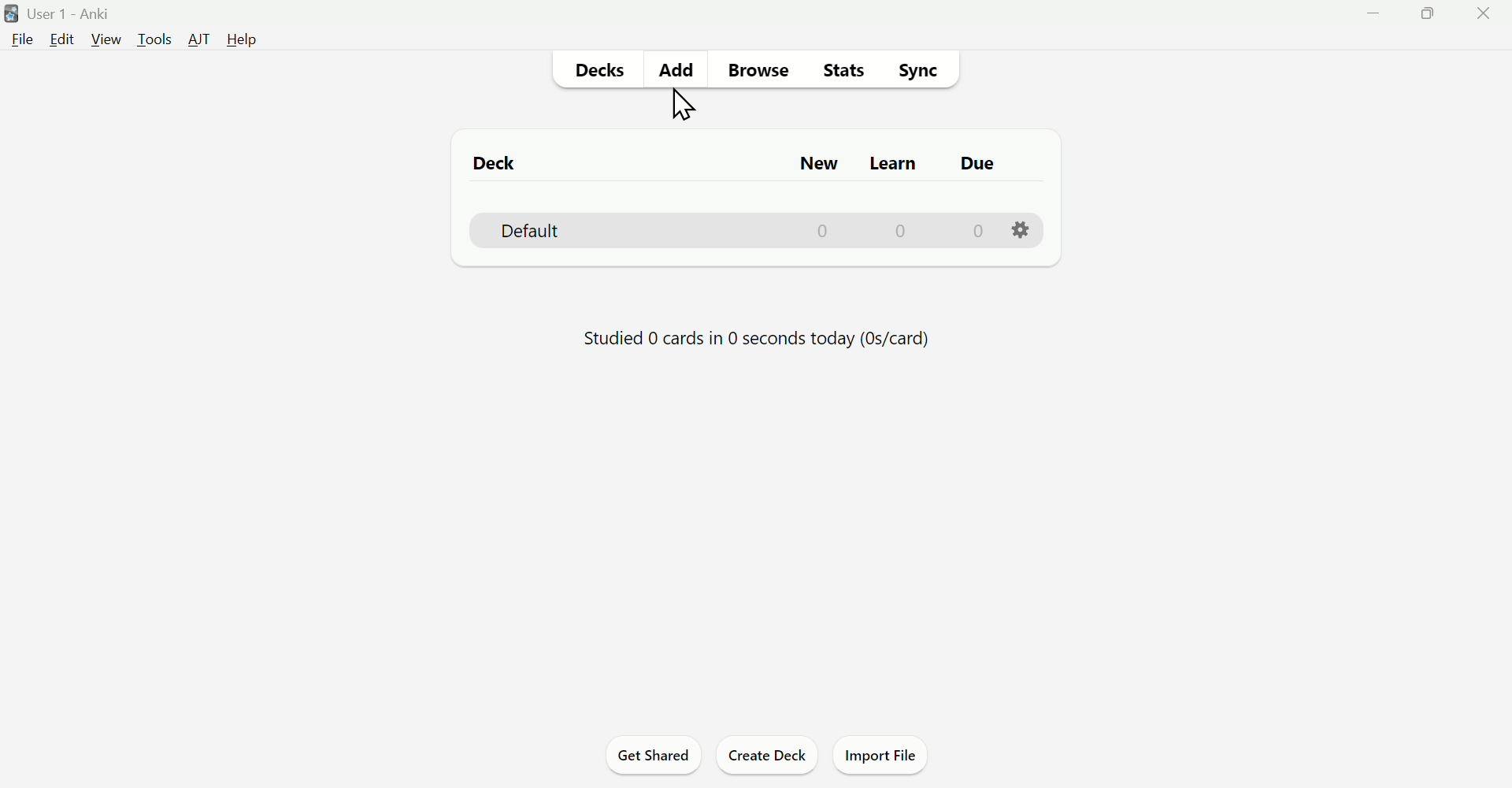 This screenshot has width=1512, height=788. I want to click on Due, so click(977, 162).